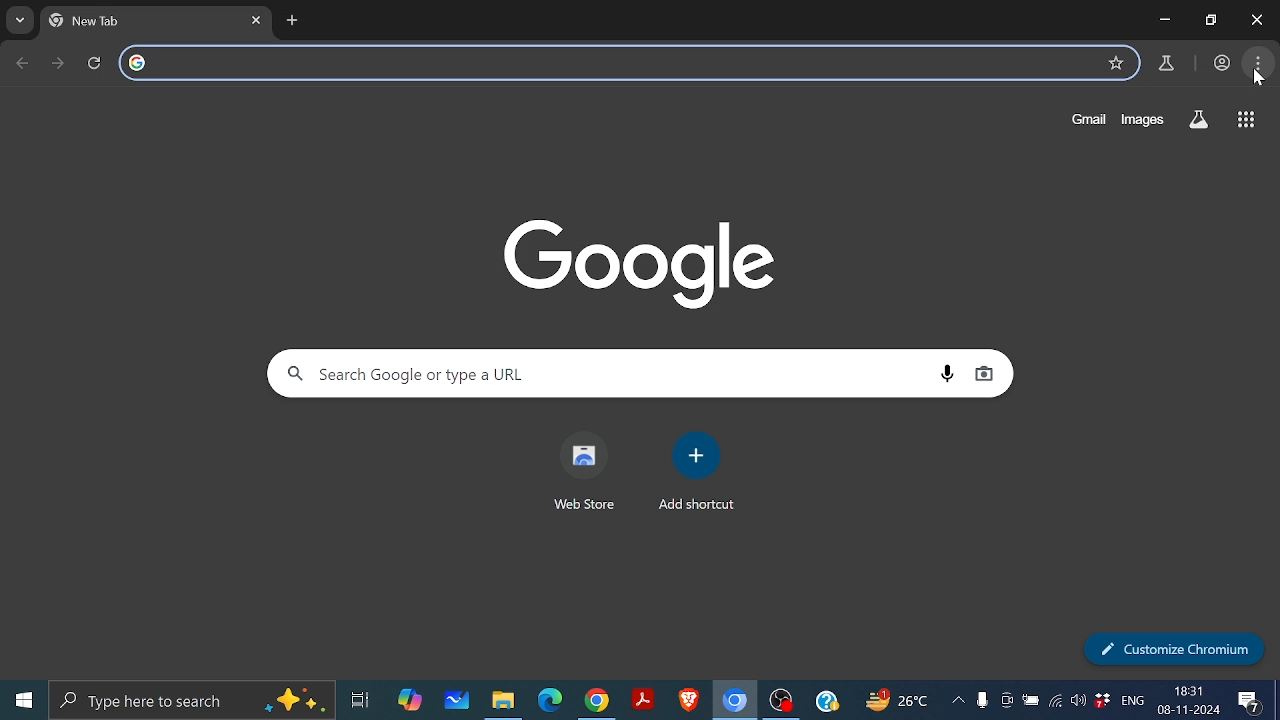 This screenshot has height=720, width=1280. I want to click on Images, so click(1143, 119).